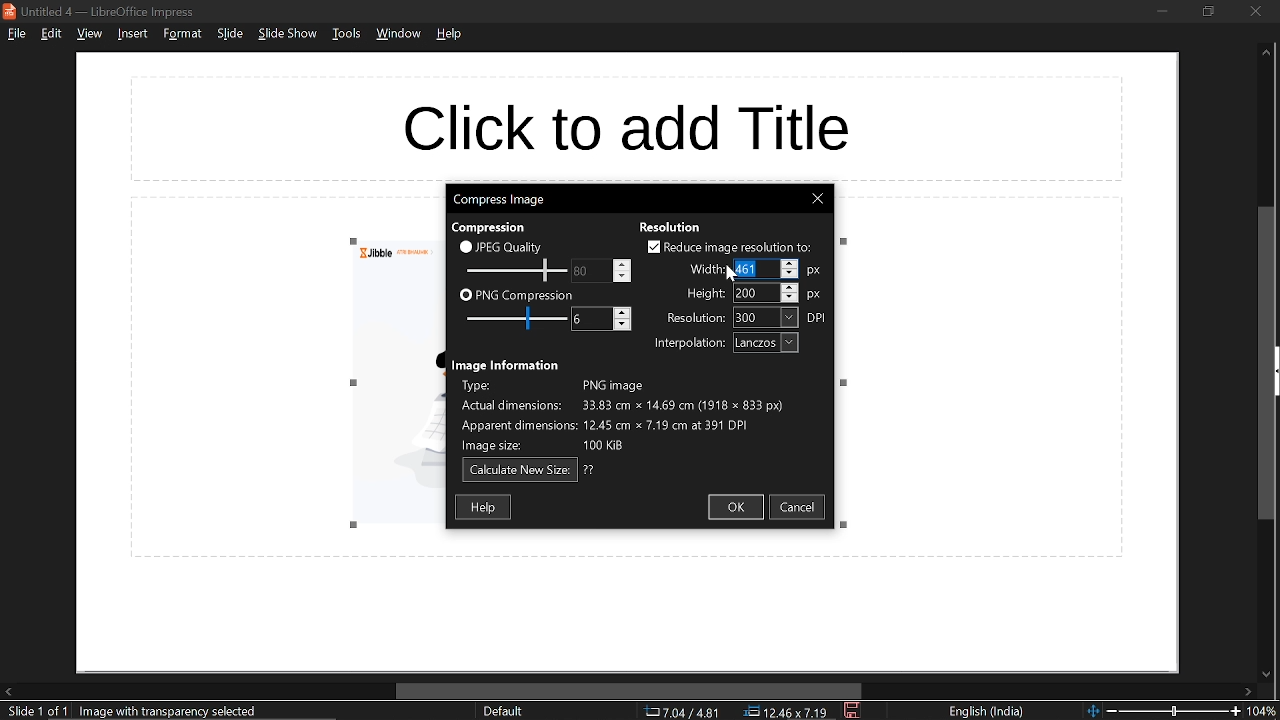  I want to click on co-ordinate, so click(682, 712).